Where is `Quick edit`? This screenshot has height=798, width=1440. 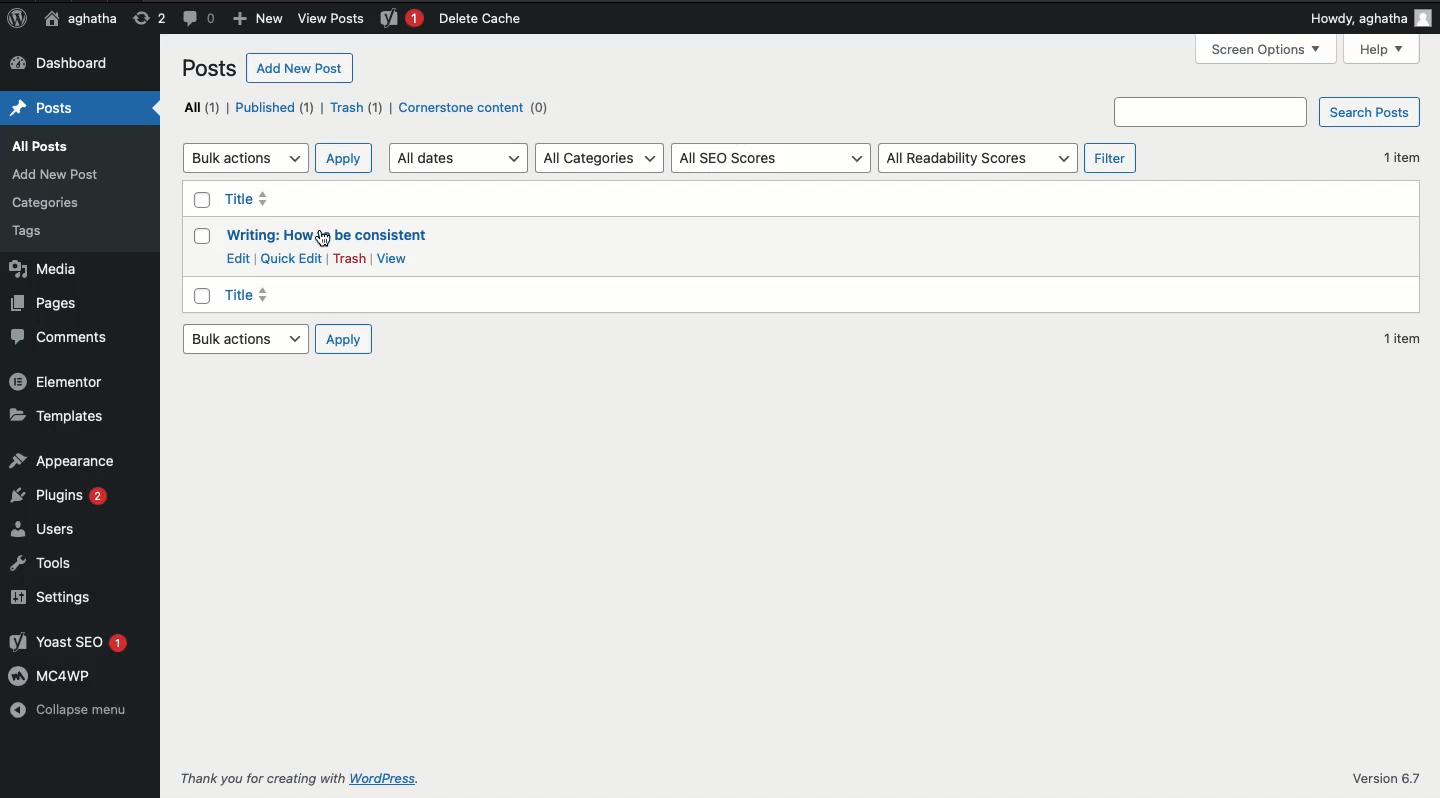 Quick edit is located at coordinates (290, 259).